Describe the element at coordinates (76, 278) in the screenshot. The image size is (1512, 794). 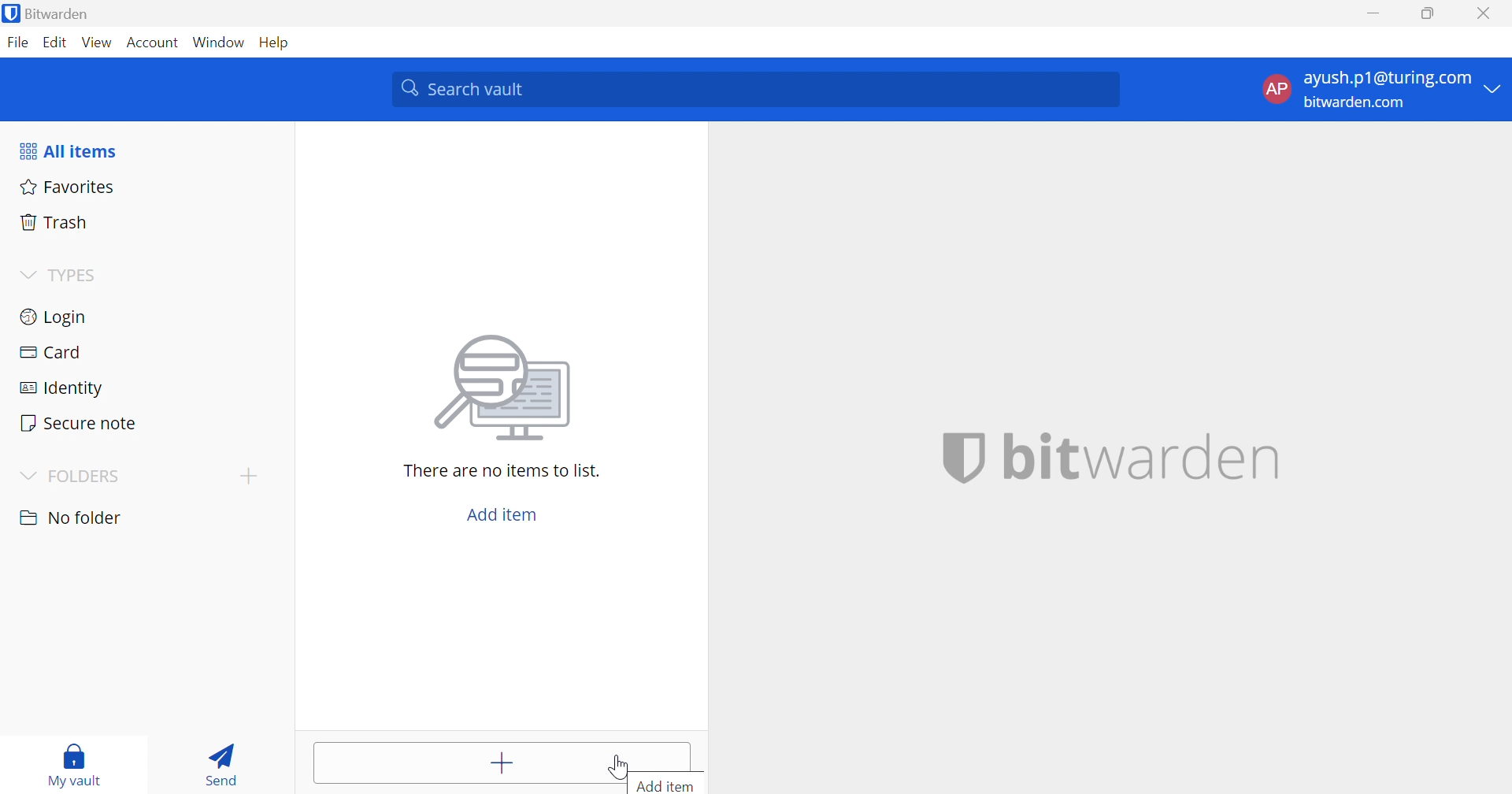
I see `TYPES` at that location.